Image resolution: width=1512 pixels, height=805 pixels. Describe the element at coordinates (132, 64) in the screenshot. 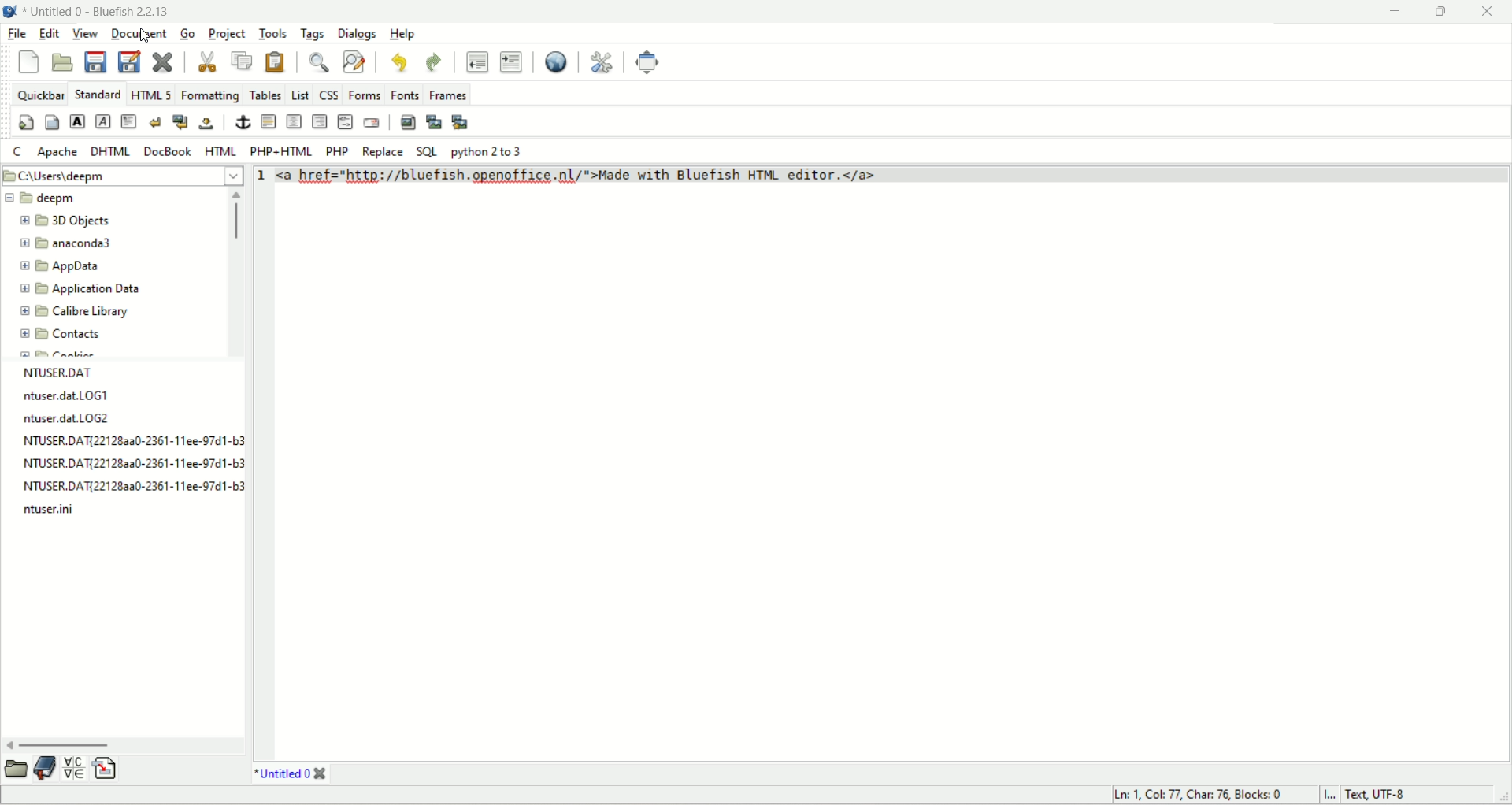

I see `save file as` at that location.